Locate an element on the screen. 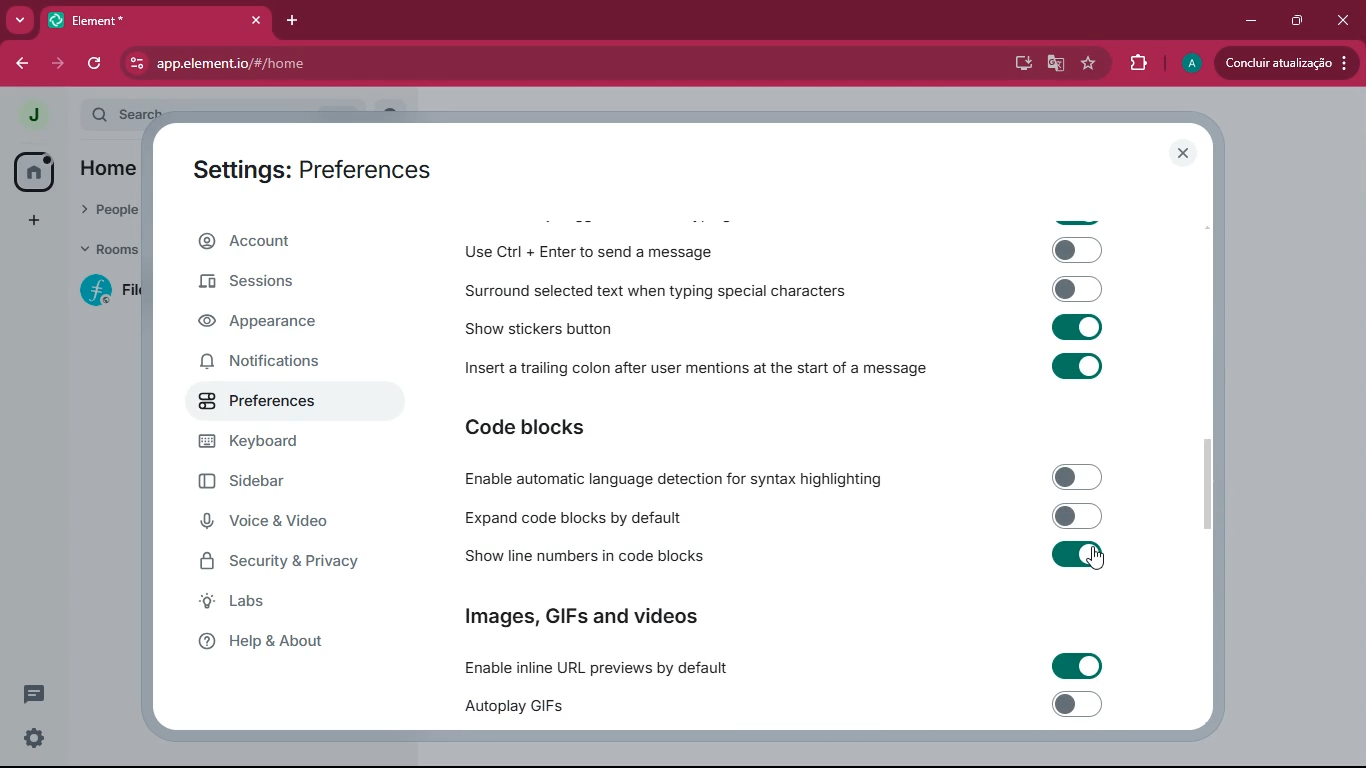  Expand code blocks by default is located at coordinates (779, 516).